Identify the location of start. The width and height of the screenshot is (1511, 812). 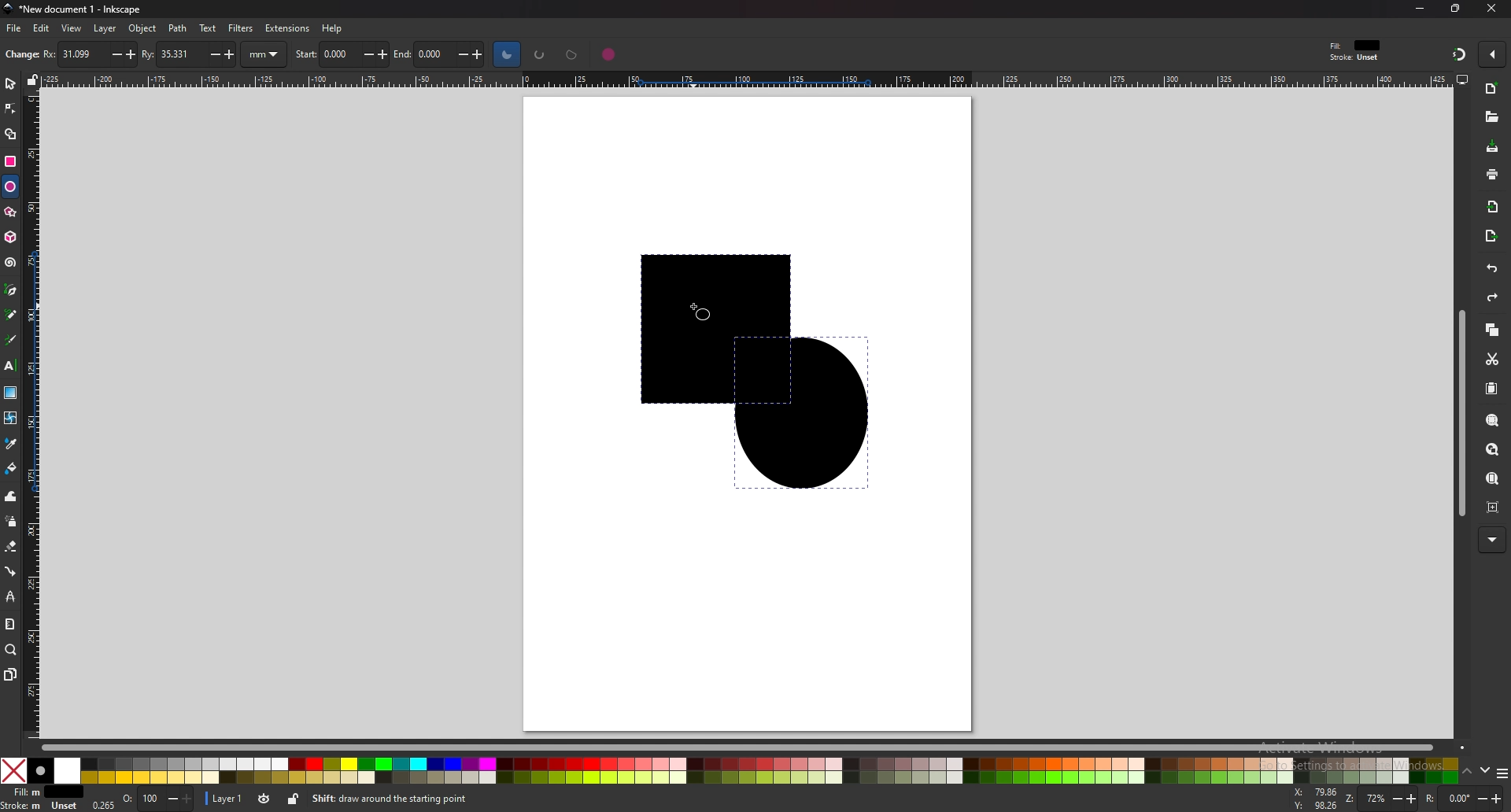
(342, 53).